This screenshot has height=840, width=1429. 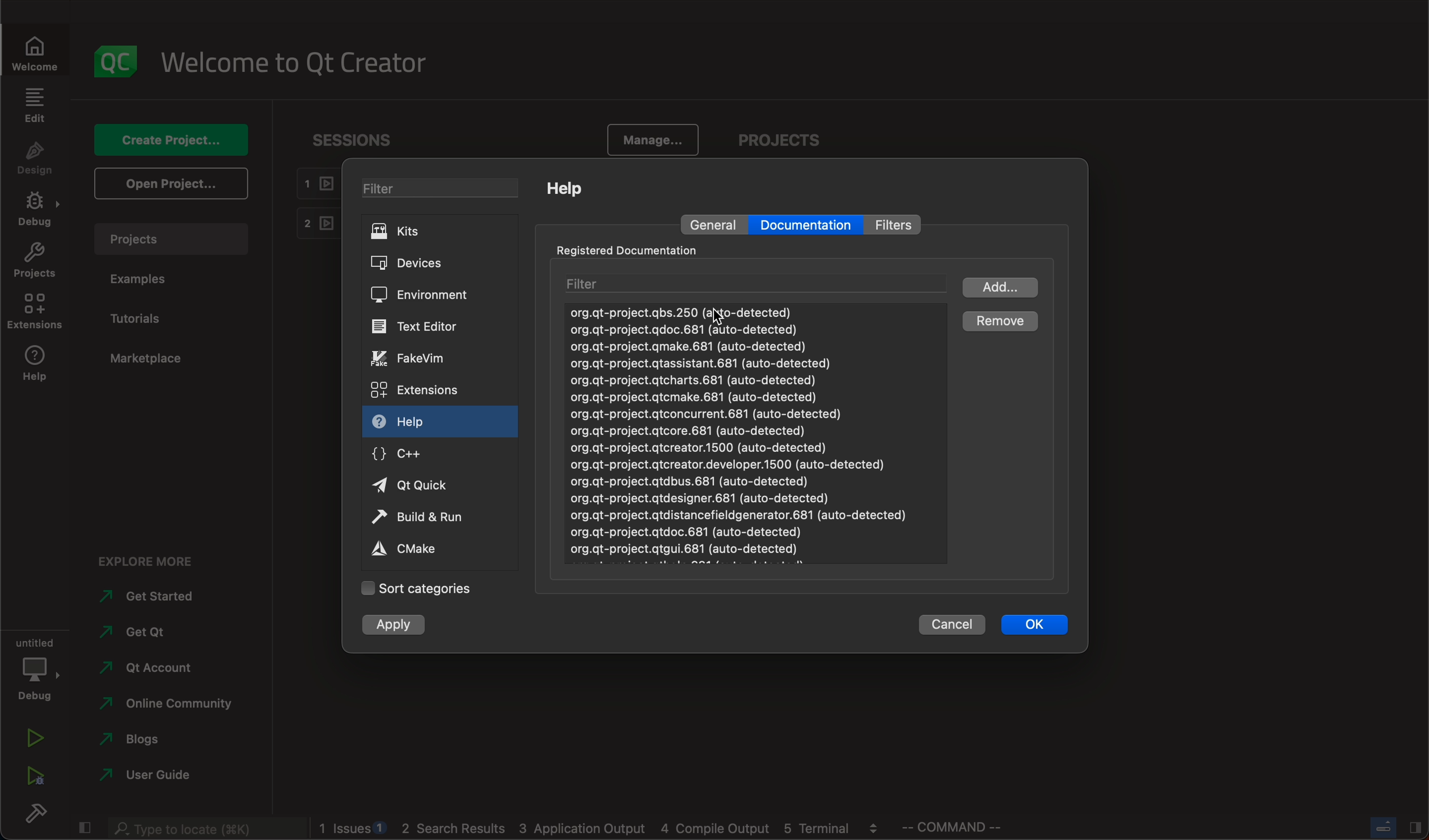 What do you see at coordinates (155, 597) in the screenshot?
I see `started` at bounding box center [155, 597].